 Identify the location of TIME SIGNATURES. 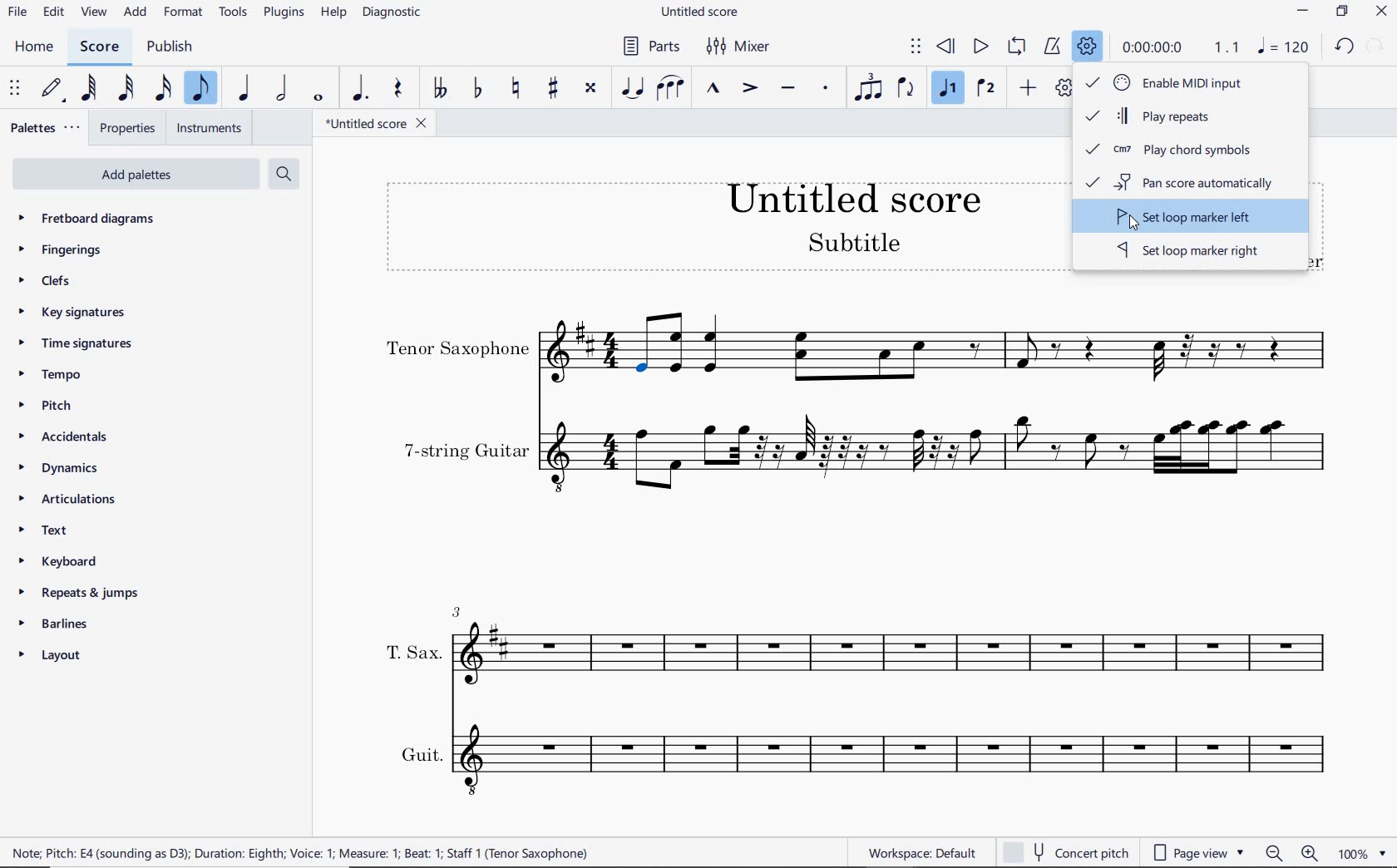
(74, 343).